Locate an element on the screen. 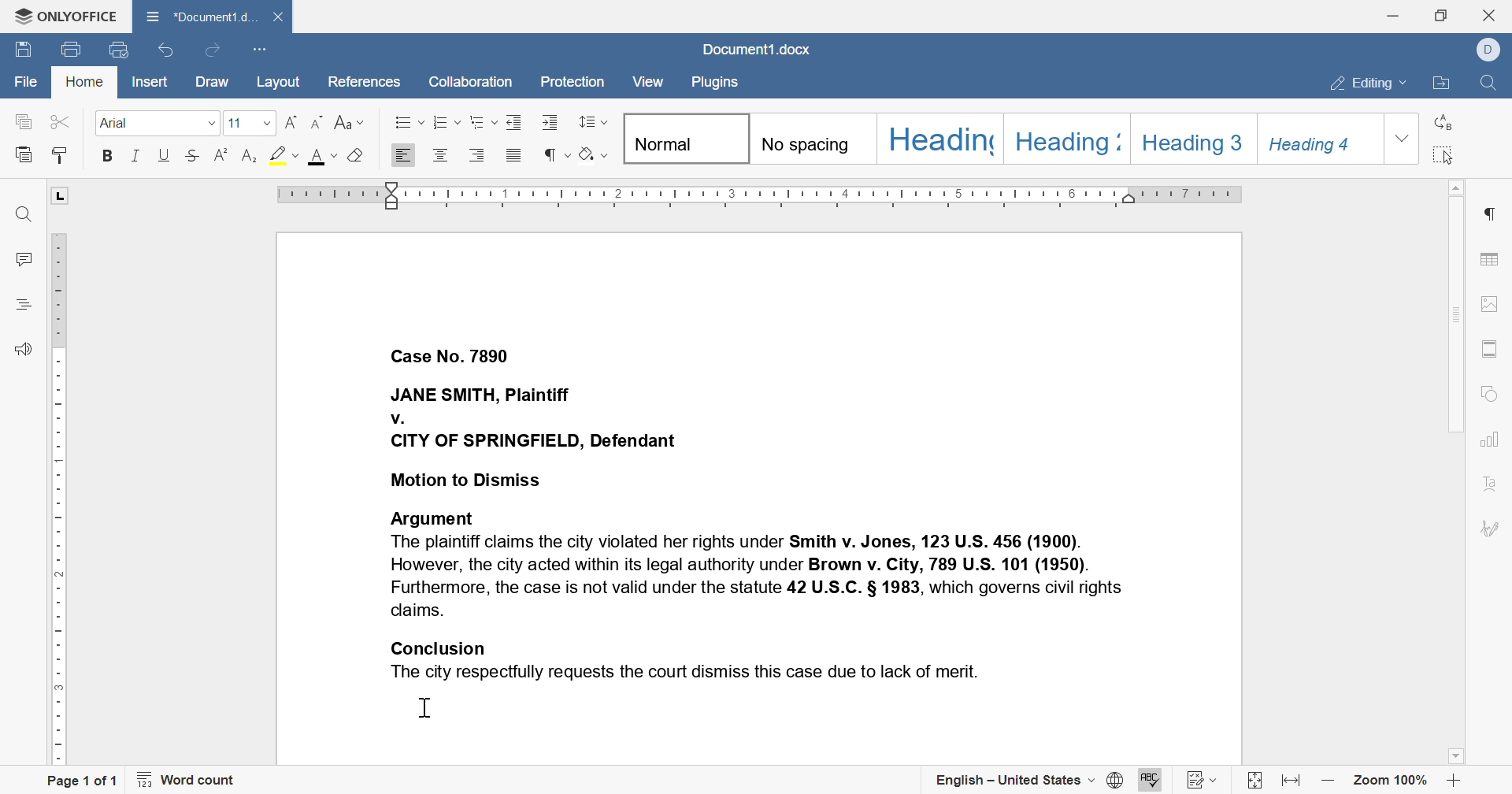 Image resolution: width=1512 pixels, height=794 pixels. close is located at coordinates (280, 17).